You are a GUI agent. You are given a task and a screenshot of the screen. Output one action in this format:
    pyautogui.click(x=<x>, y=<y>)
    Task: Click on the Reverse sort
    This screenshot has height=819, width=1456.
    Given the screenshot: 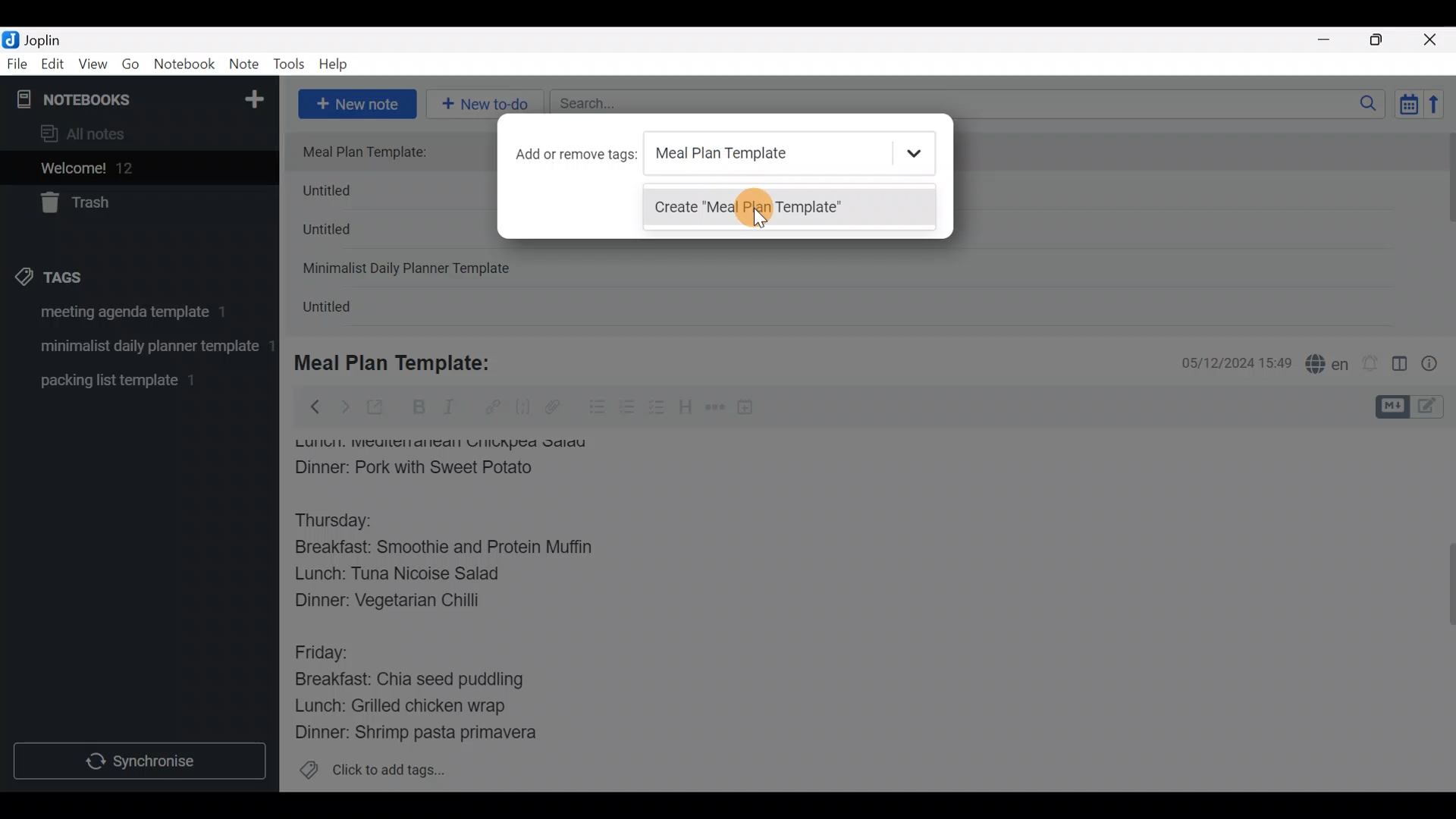 What is the action you would take?
    pyautogui.click(x=1442, y=108)
    